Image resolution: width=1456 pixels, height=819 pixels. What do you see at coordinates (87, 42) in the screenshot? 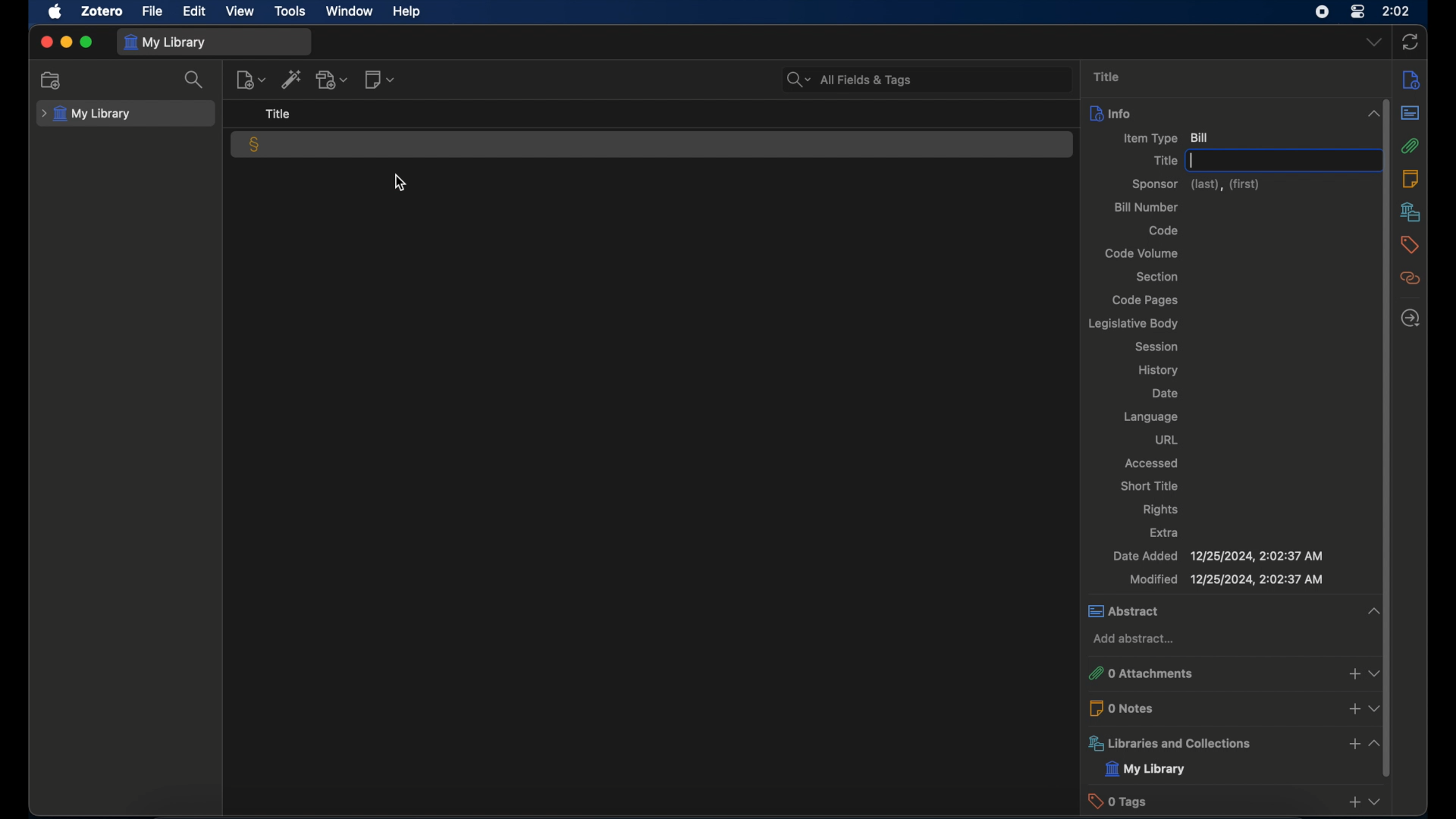
I see `maximize` at bounding box center [87, 42].